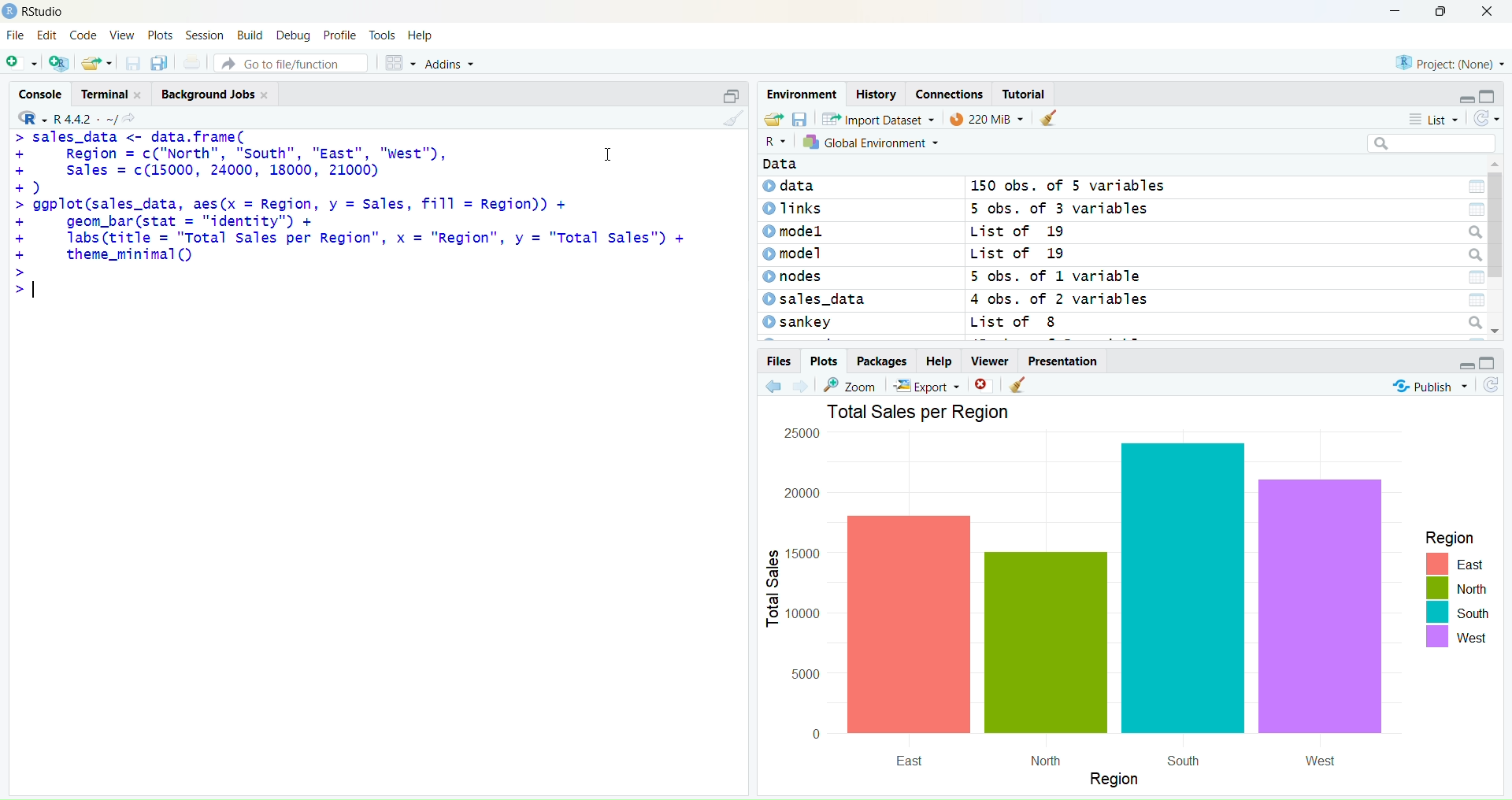  I want to click on clear, so click(1020, 383).